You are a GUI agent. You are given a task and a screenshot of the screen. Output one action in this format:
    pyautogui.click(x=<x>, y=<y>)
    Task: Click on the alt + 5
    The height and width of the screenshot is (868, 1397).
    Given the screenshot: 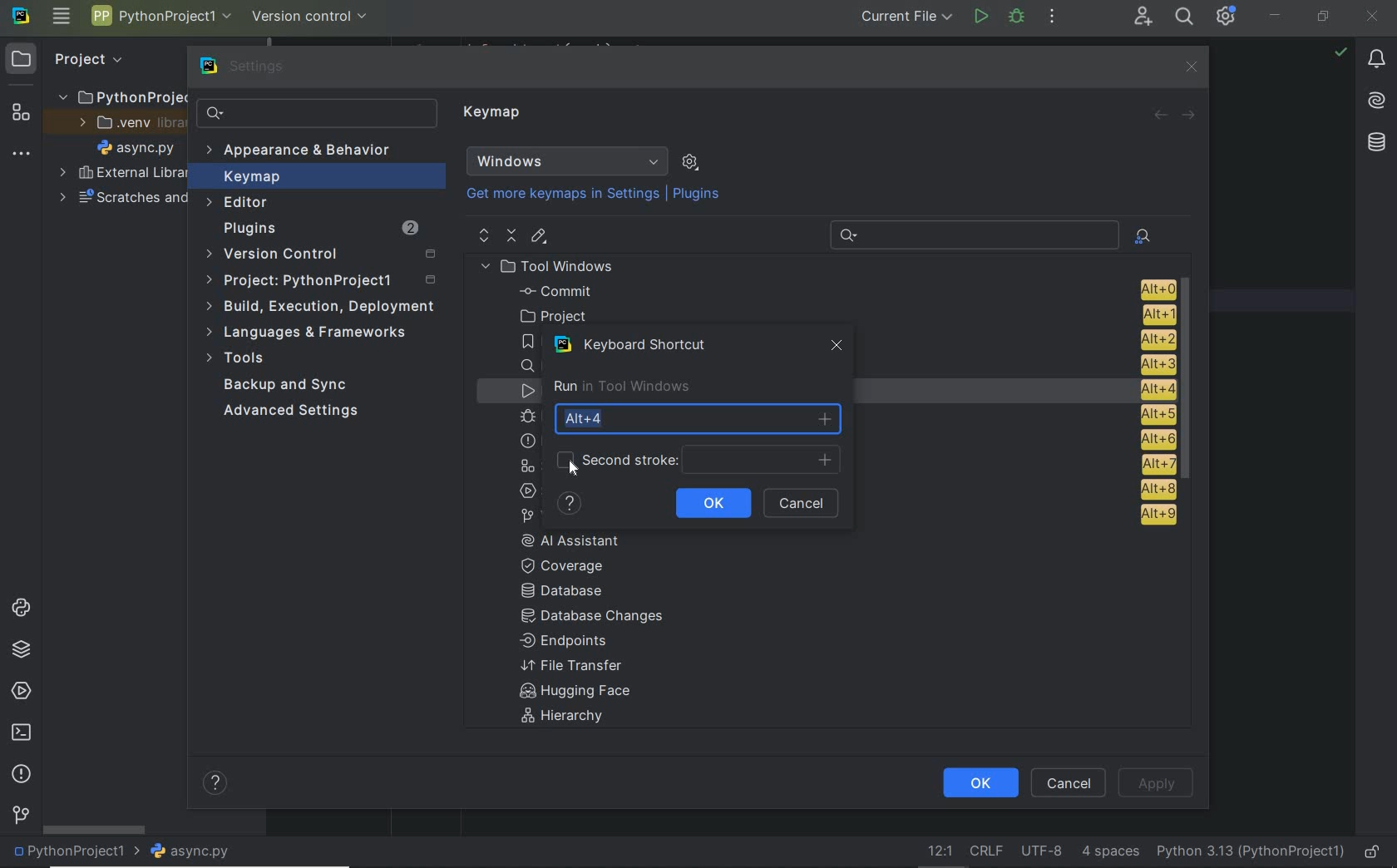 What is the action you would take?
    pyautogui.click(x=1155, y=415)
    